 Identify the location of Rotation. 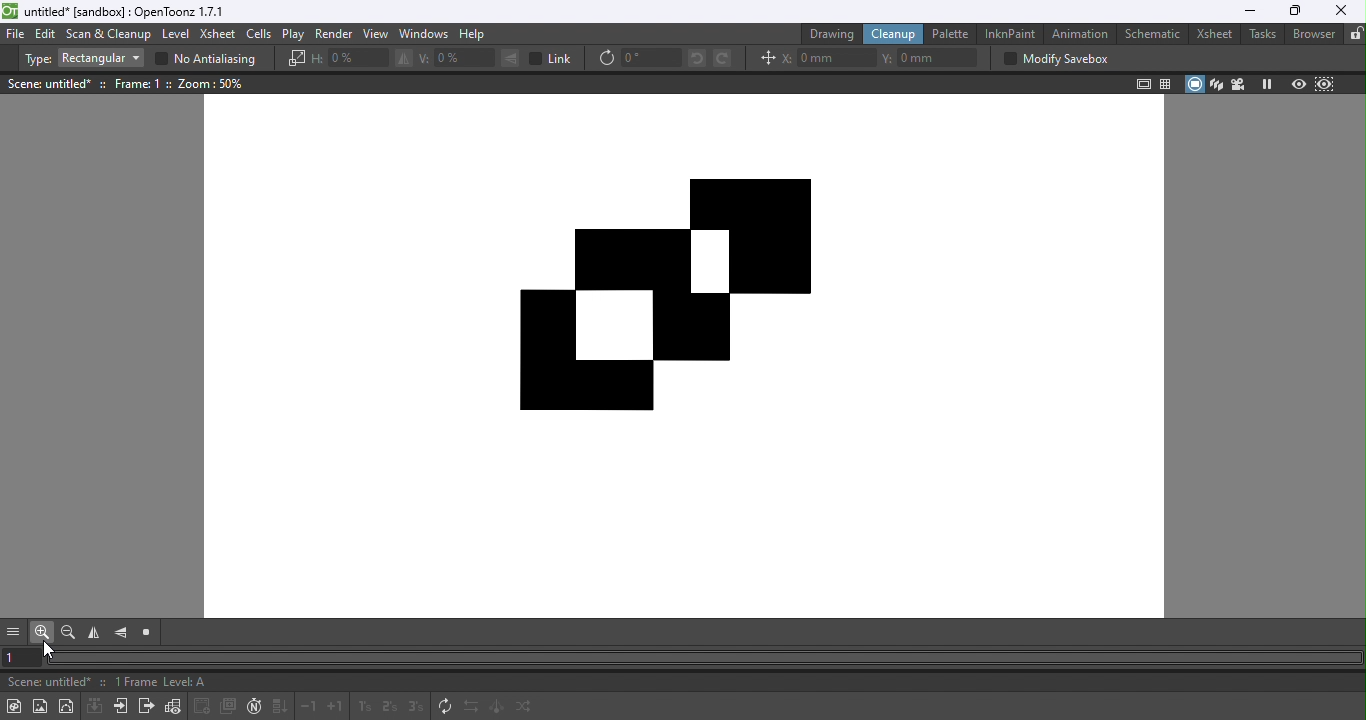
(638, 59).